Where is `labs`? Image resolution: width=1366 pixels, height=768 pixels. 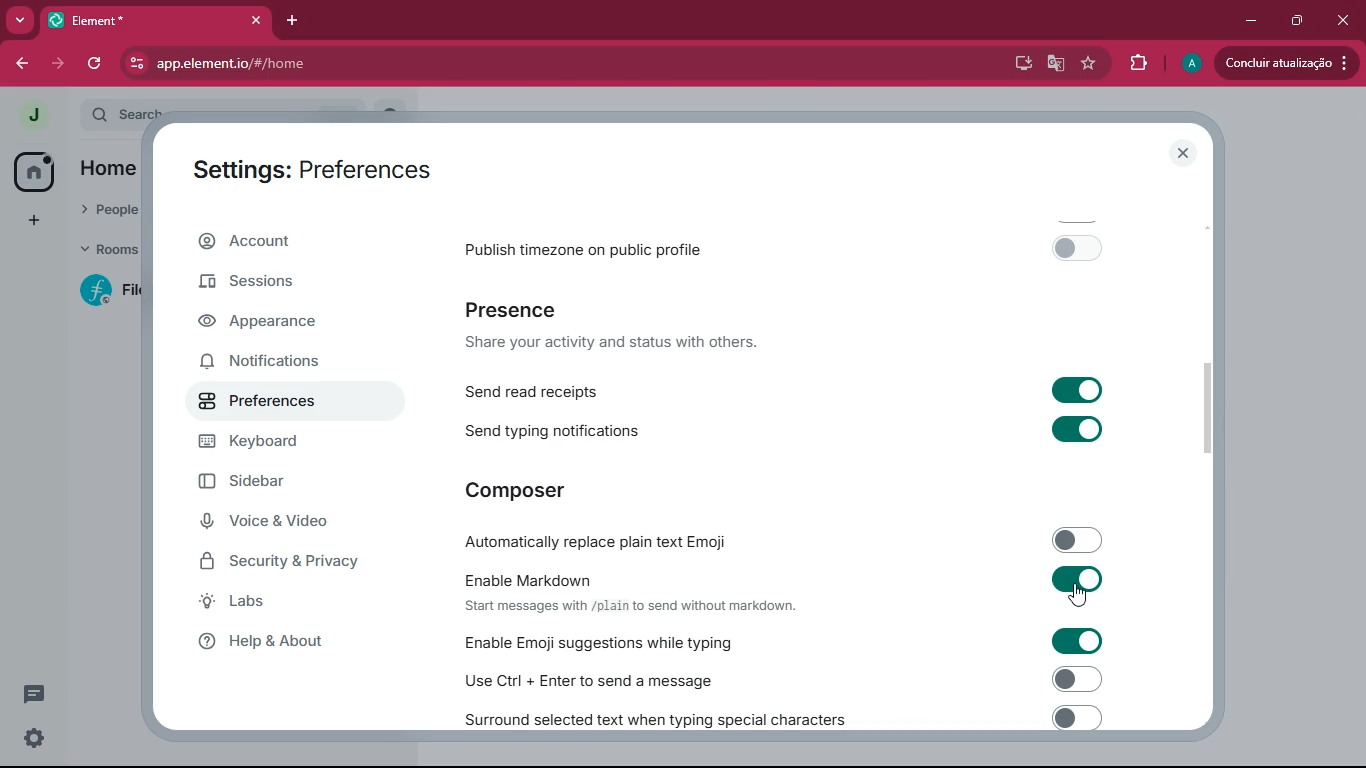
labs is located at coordinates (284, 603).